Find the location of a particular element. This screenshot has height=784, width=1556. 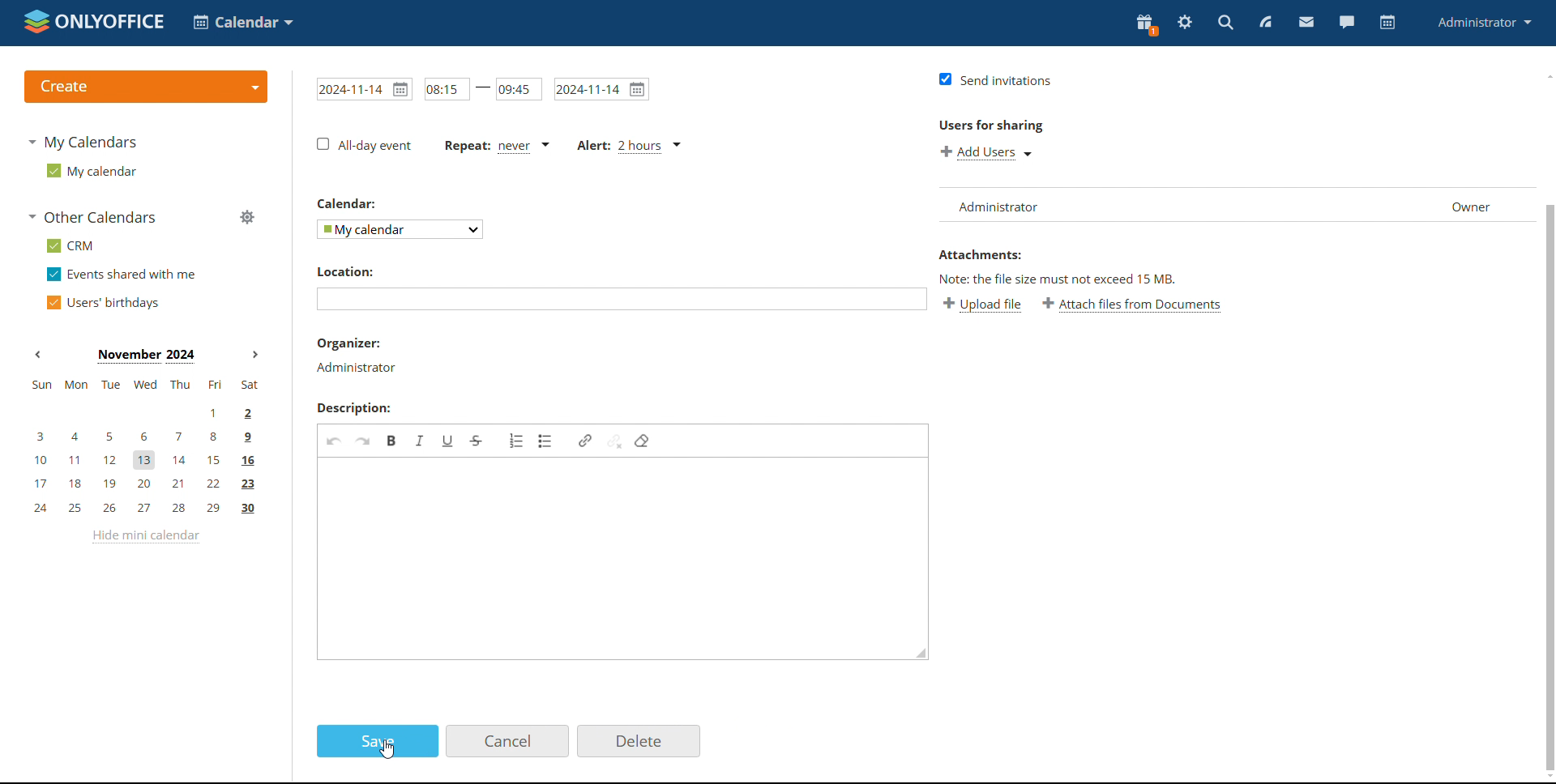

create is located at coordinates (145, 88).